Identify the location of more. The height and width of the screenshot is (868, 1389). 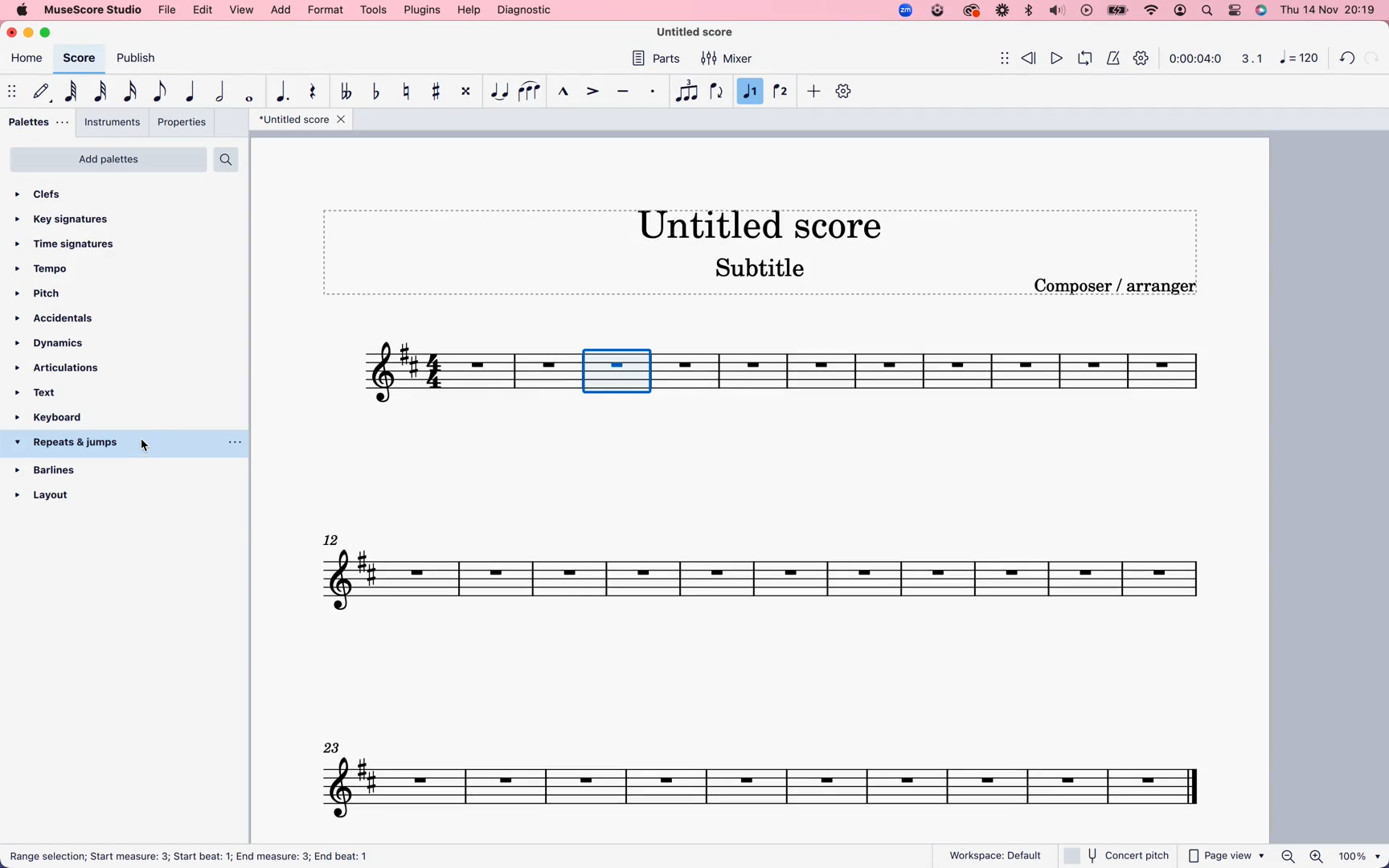
(814, 92).